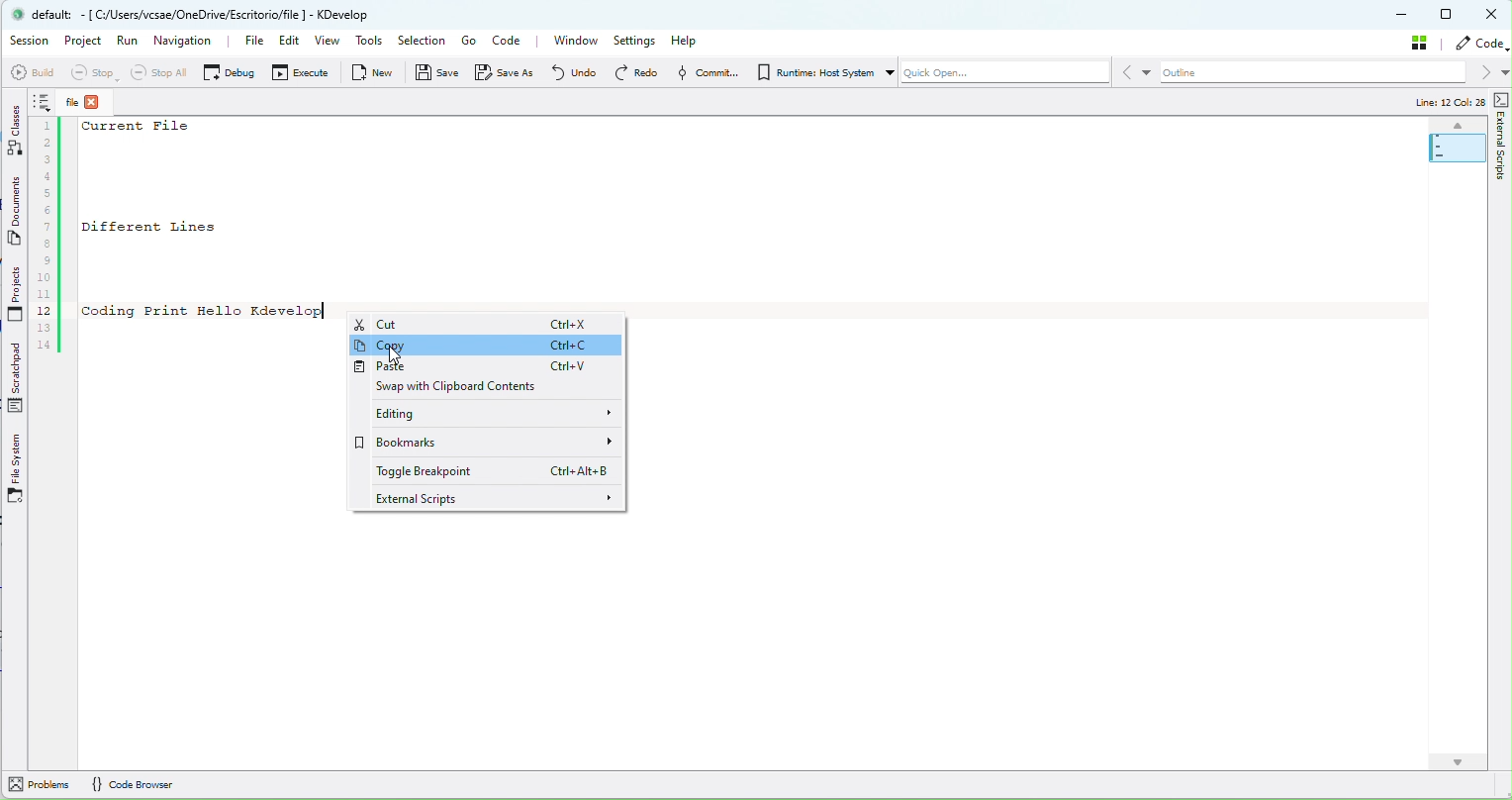 The width and height of the screenshot is (1512, 800). What do you see at coordinates (488, 325) in the screenshot?
I see `Cut Ctrl+X` at bounding box center [488, 325].